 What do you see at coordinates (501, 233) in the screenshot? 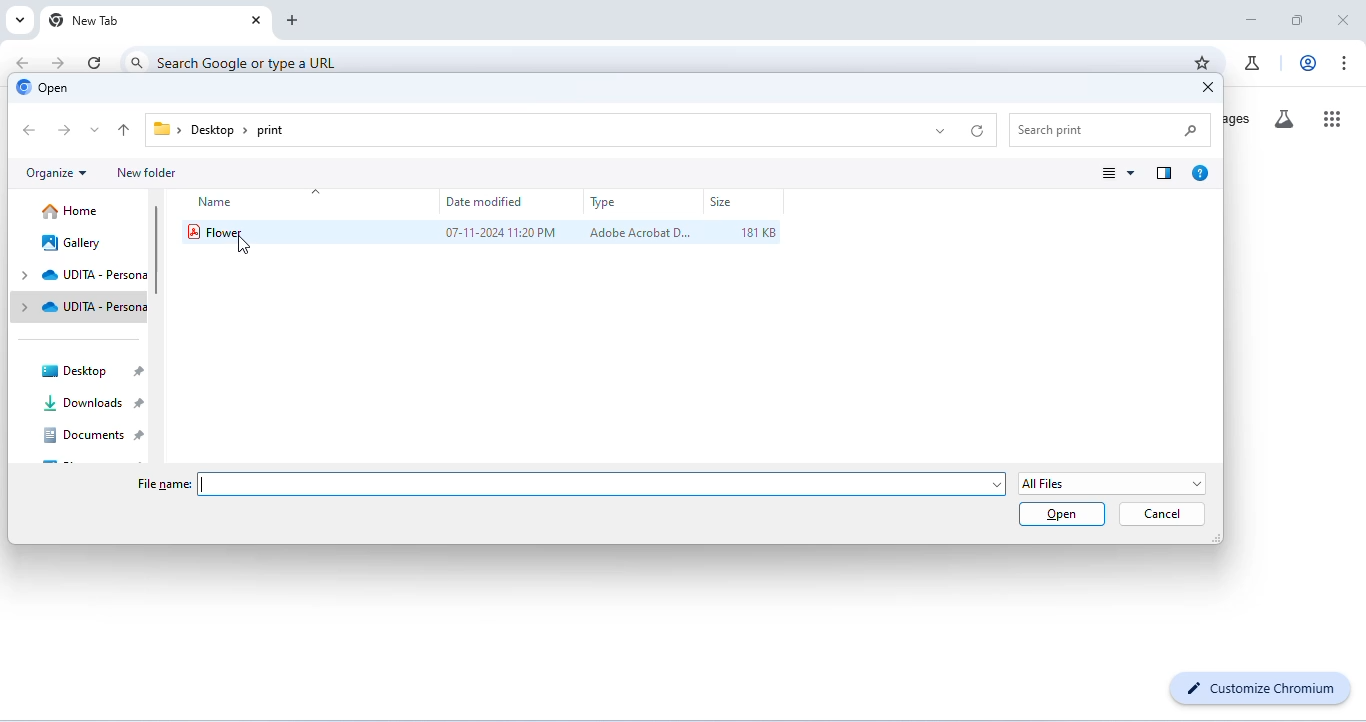
I see `07-11-2024 11:20 PM` at bounding box center [501, 233].